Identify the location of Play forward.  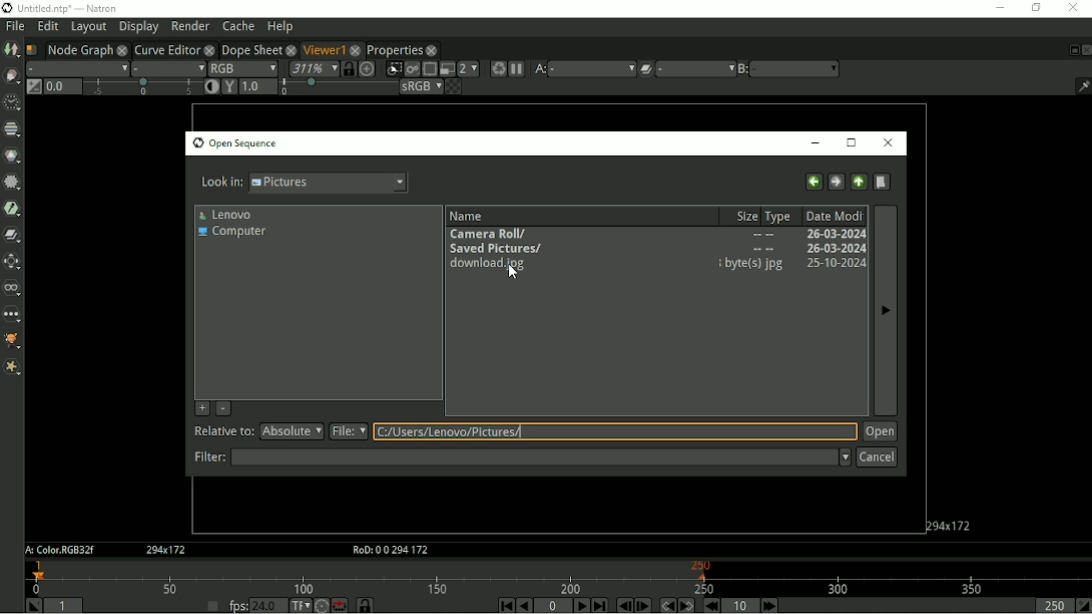
(580, 605).